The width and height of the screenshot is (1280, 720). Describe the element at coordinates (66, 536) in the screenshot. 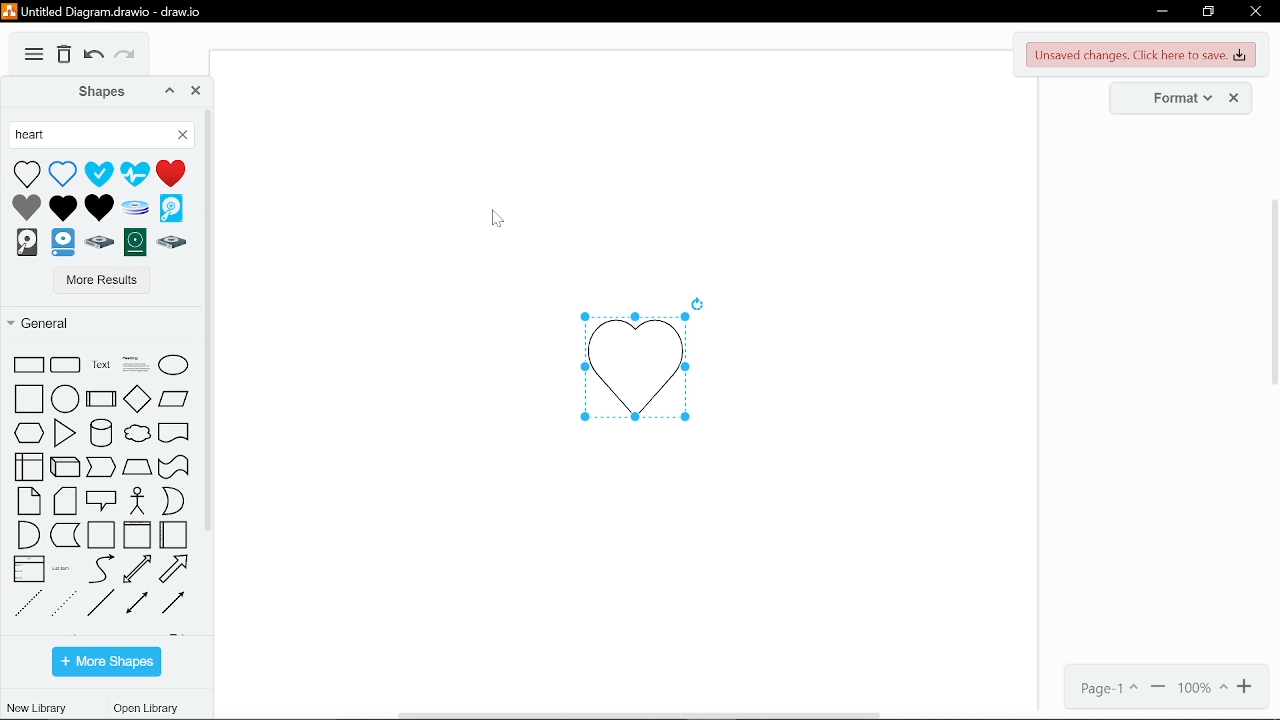

I see `data storage` at that location.